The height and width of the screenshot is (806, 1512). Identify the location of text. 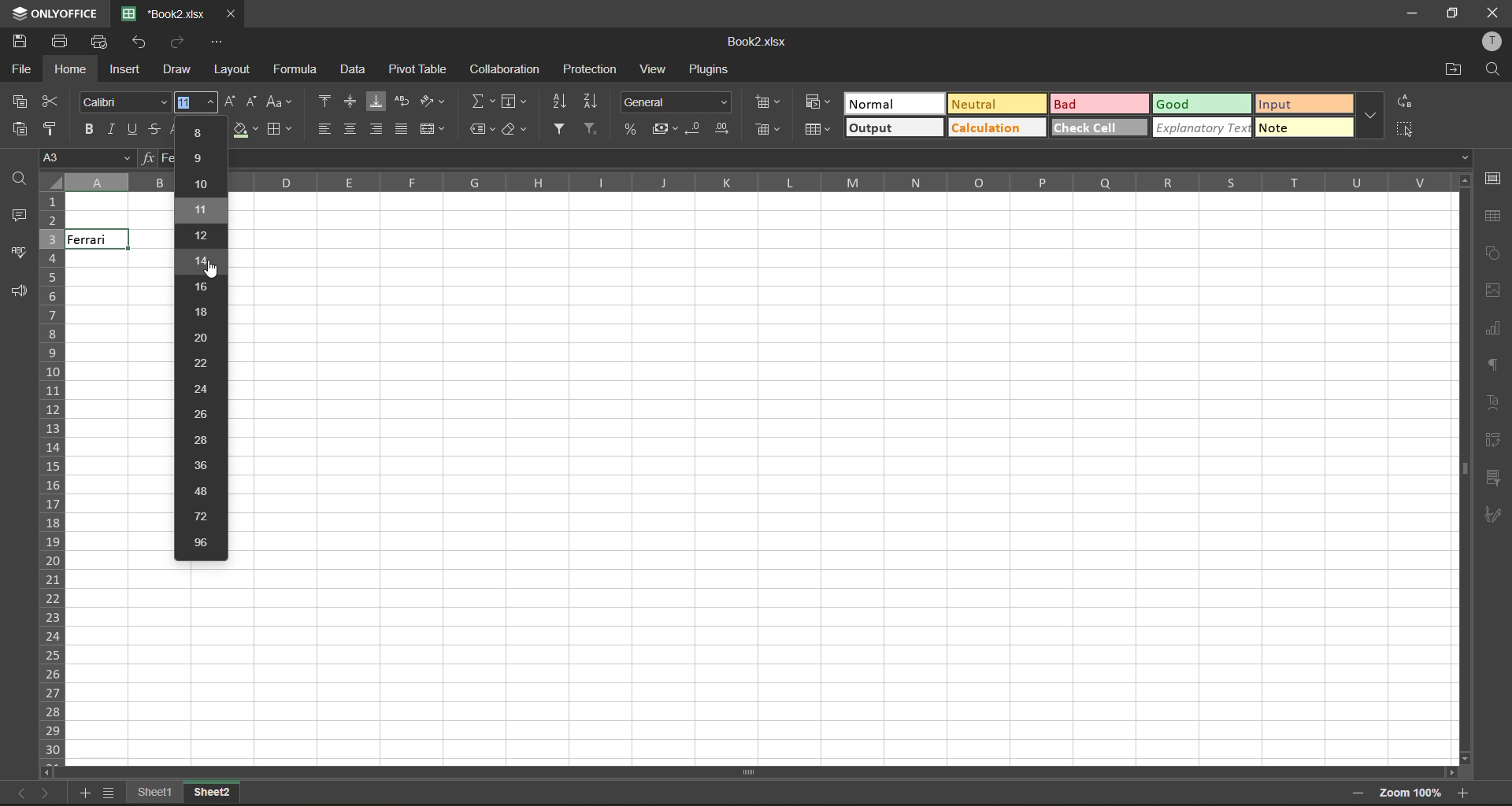
(1494, 402).